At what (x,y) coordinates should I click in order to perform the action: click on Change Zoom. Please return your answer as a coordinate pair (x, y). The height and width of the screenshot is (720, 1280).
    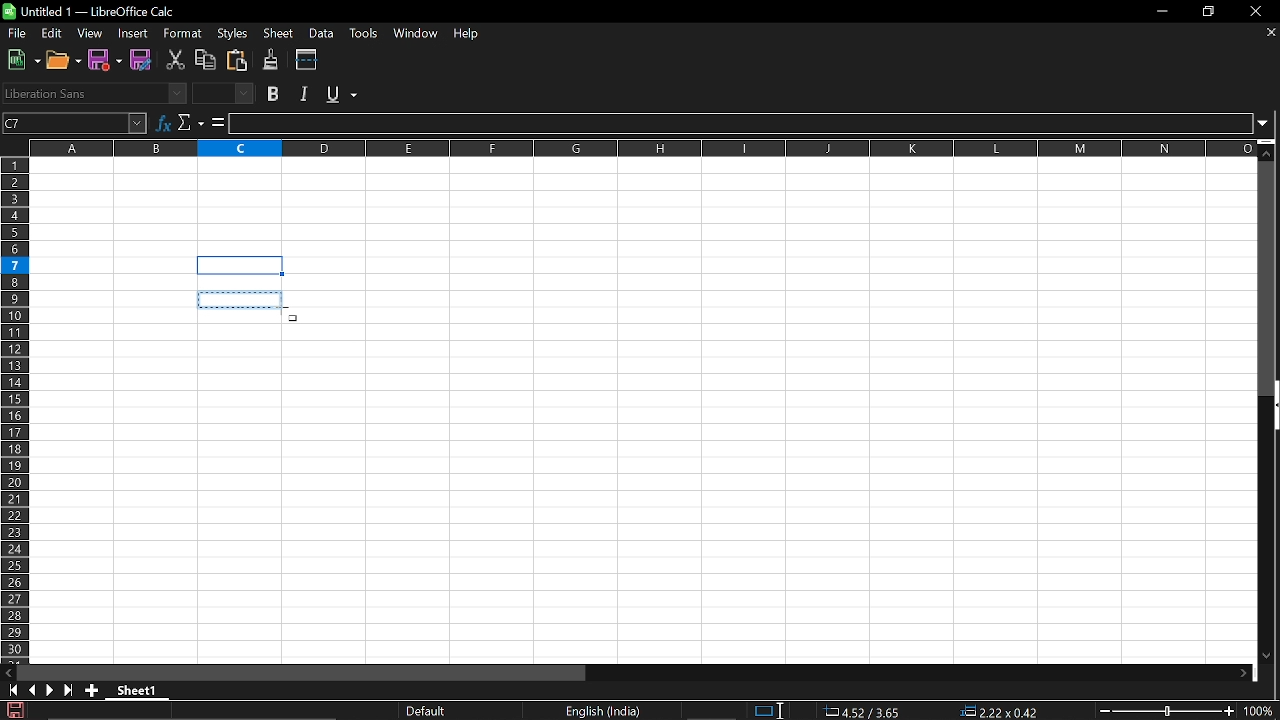
    Looking at the image, I should click on (1168, 711).